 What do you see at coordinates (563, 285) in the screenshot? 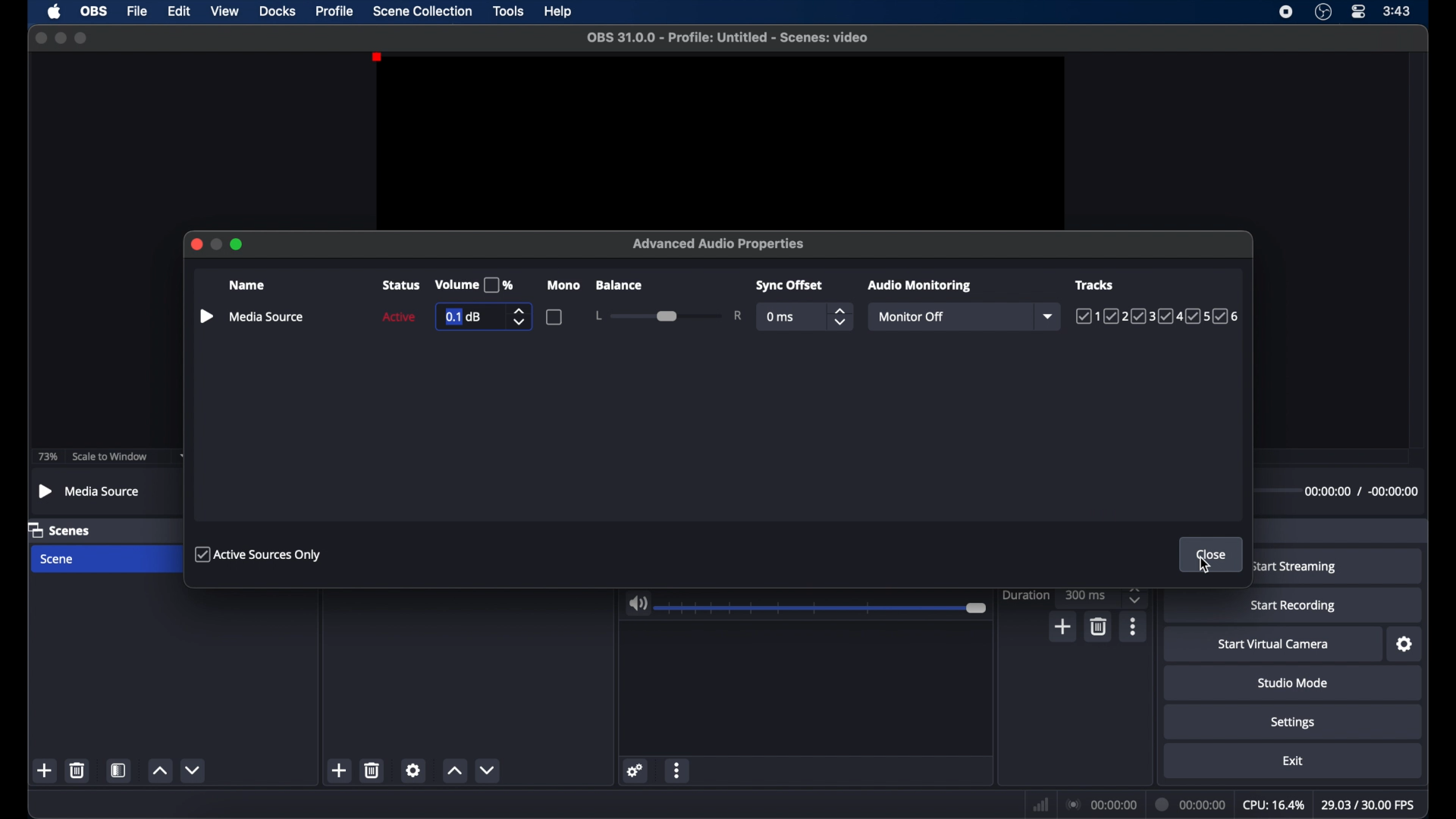
I see `mono` at bounding box center [563, 285].